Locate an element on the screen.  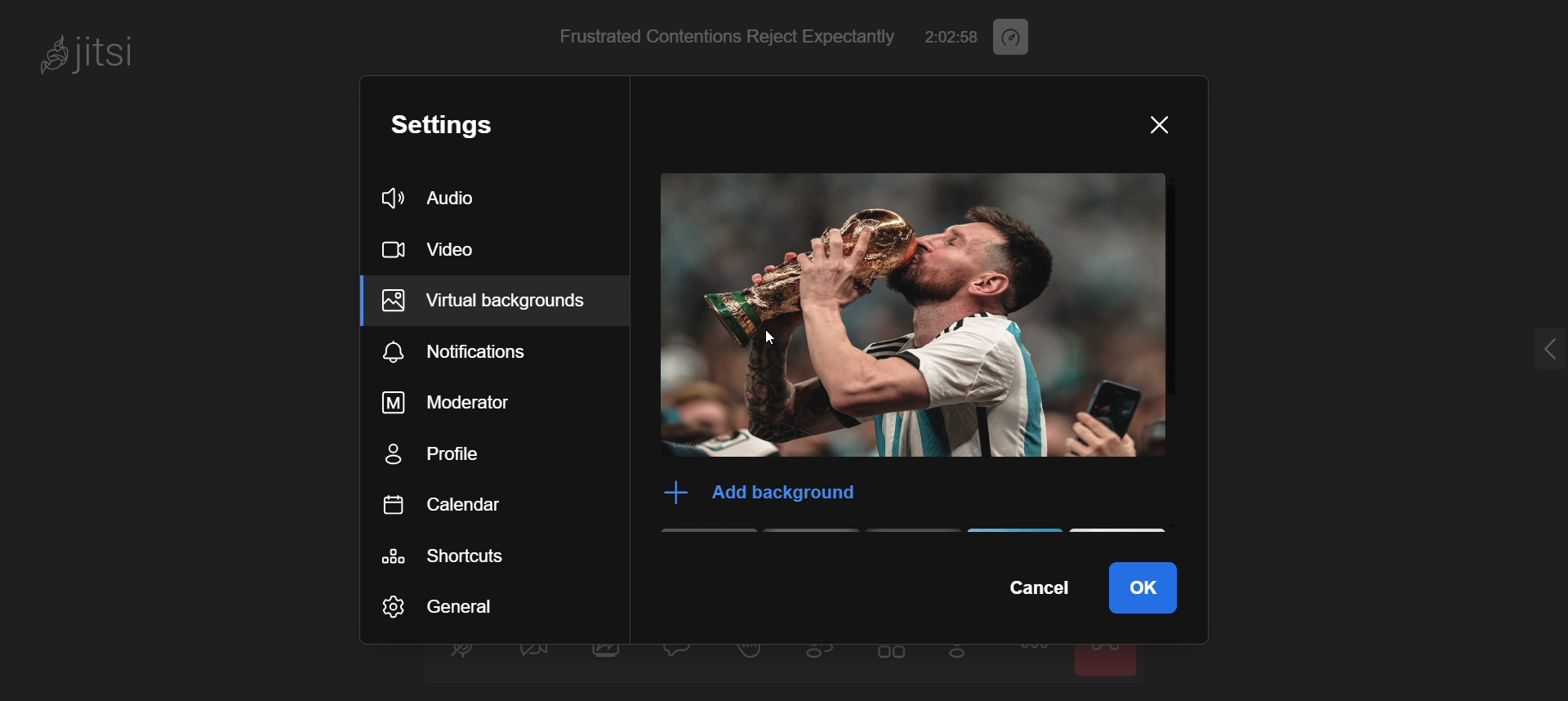
audio is located at coordinates (439, 196).